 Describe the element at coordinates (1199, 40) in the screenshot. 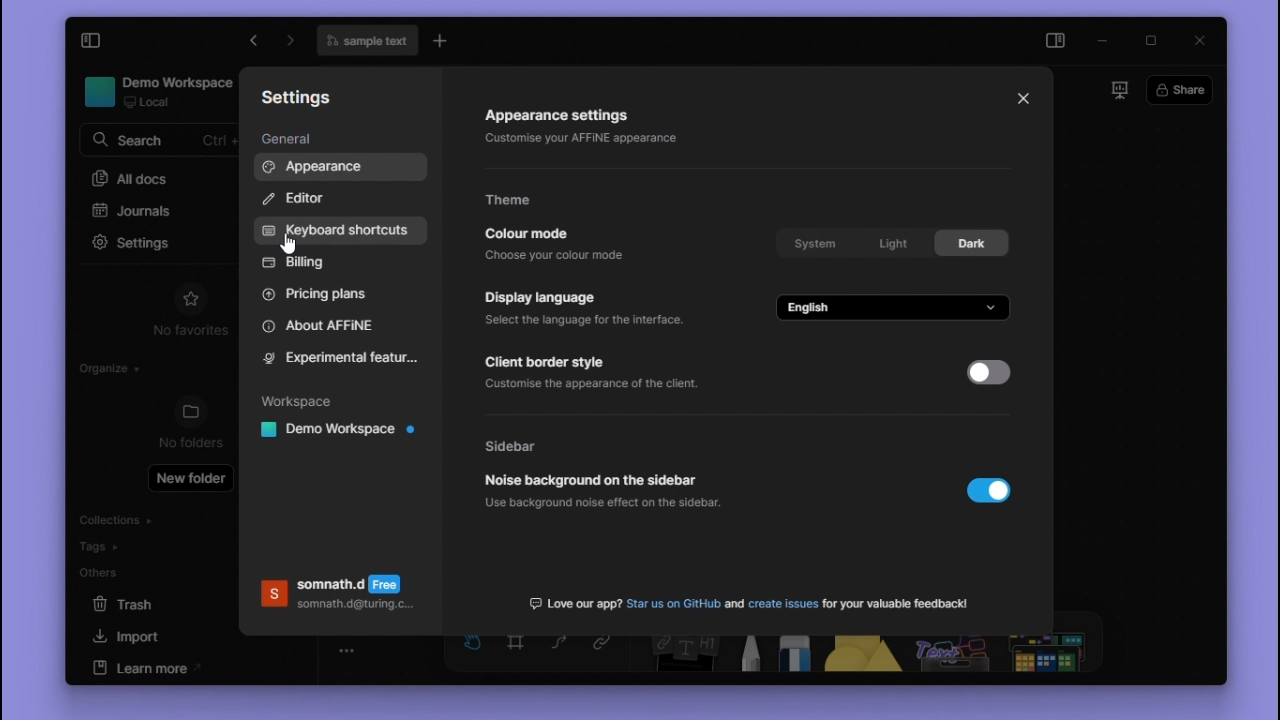

I see `close` at that location.